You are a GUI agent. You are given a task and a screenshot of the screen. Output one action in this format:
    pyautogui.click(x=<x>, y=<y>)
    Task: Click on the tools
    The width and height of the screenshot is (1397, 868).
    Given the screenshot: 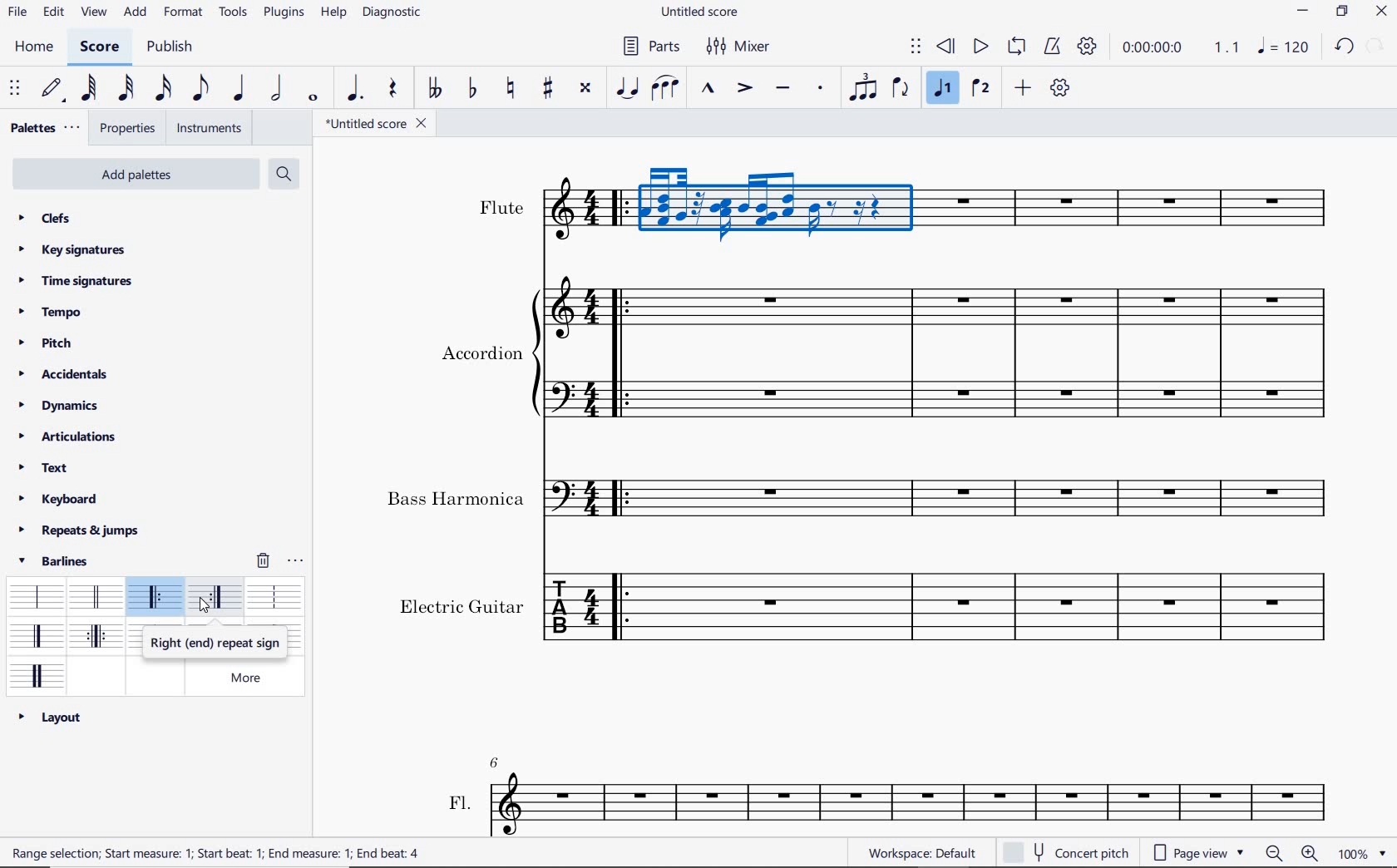 What is the action you would take?
    pyautogui.click(x=233, y=13)
    